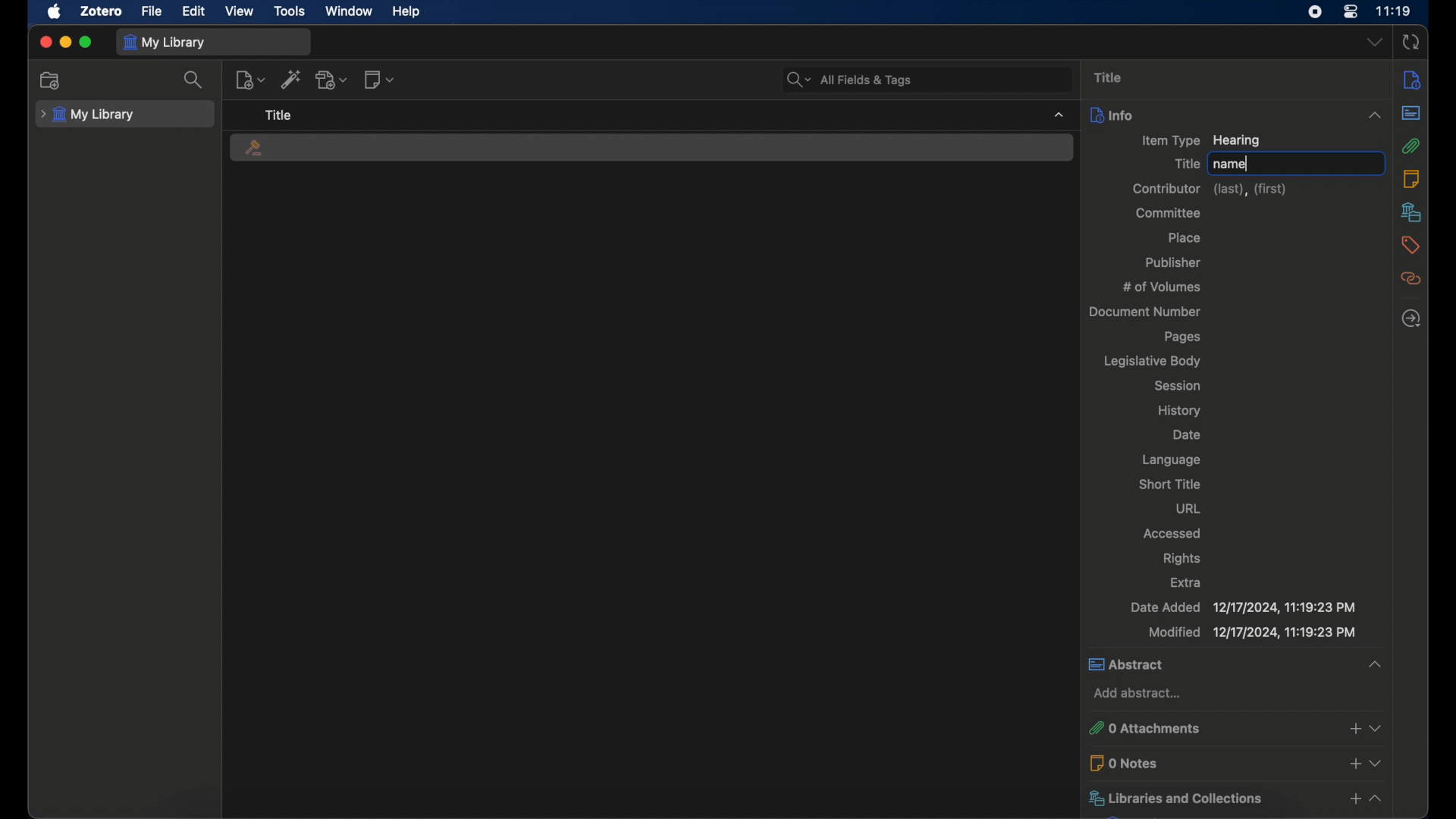 Image resolution: width=1456 pixels, height=819 pixels. I want to click on tools, so click(290, 10).